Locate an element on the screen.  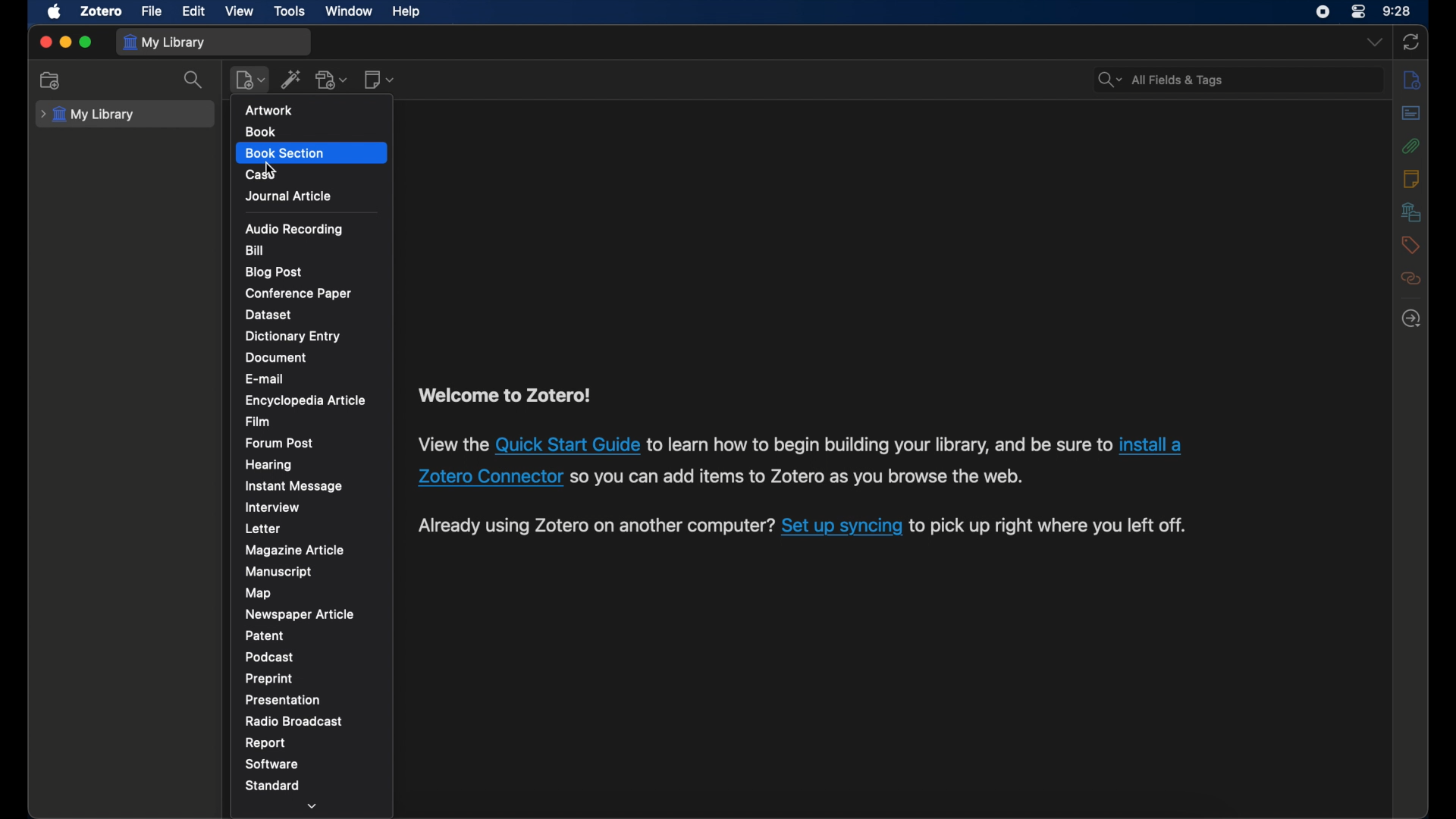
view is located at coordinates (240, 11).